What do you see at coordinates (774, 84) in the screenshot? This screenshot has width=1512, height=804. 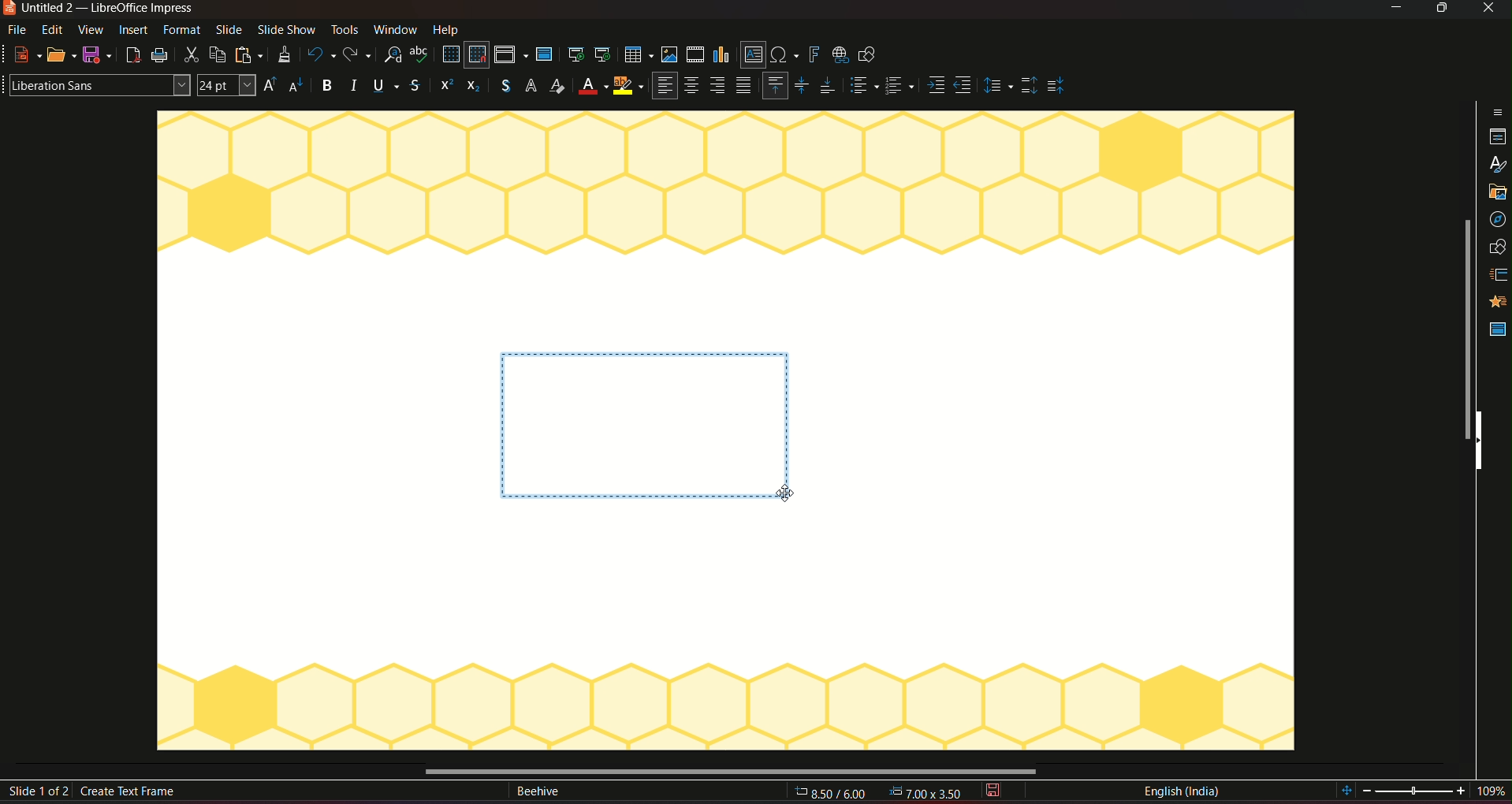 I see `Align top` at bounding box center [774, 84].